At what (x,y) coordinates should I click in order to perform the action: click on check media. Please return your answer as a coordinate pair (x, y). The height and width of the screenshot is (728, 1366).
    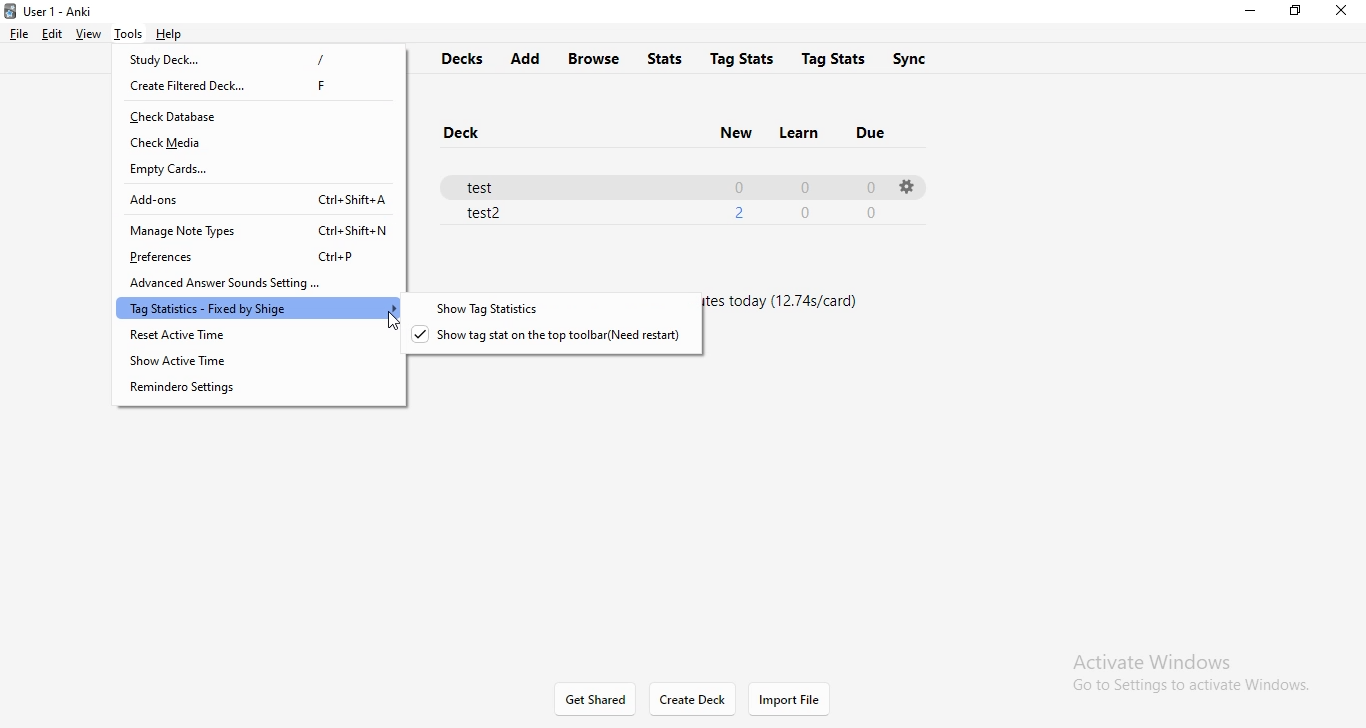
    Looking at the image, I should click on (253, 142).